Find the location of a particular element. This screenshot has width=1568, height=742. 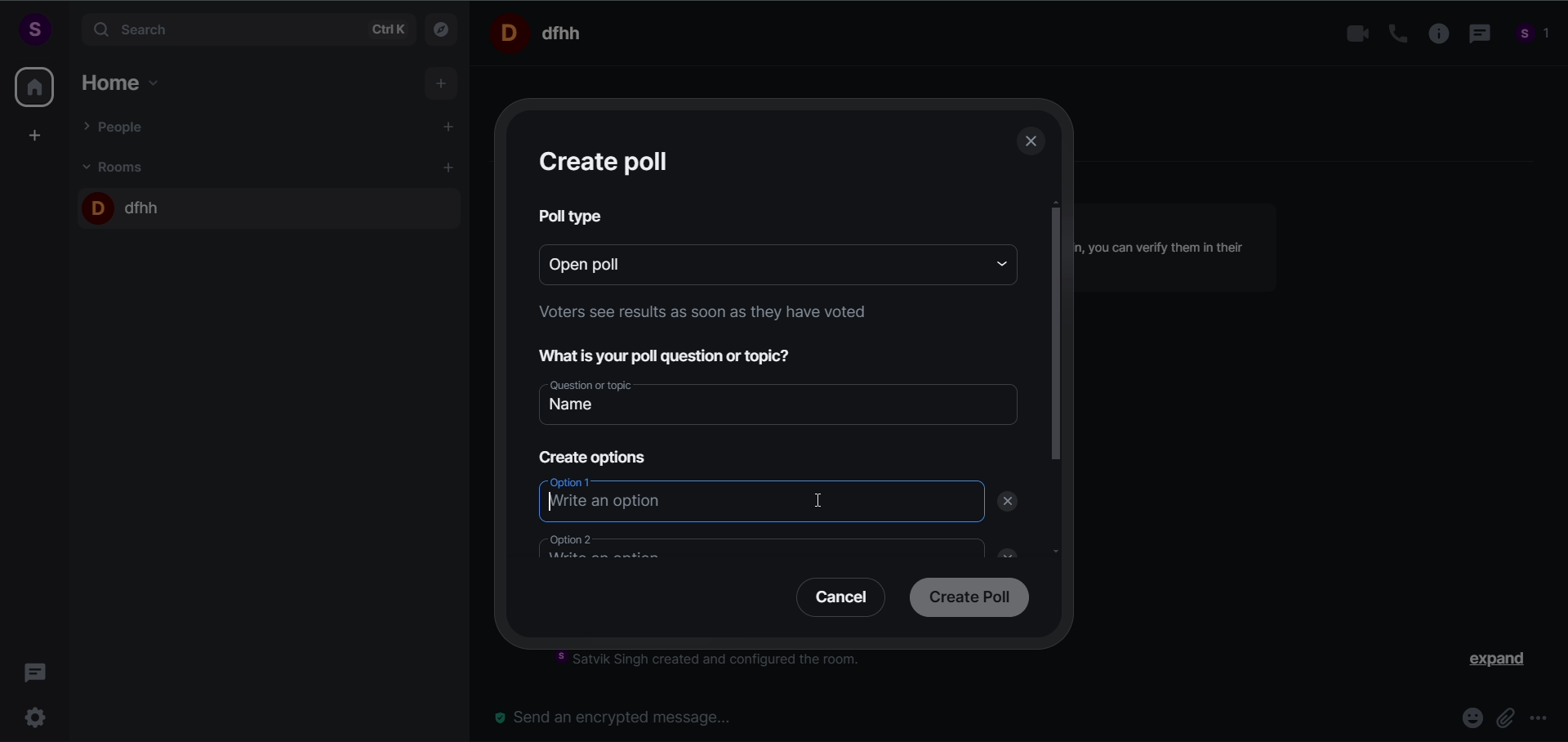

room name is located at coordinates (125, 204).